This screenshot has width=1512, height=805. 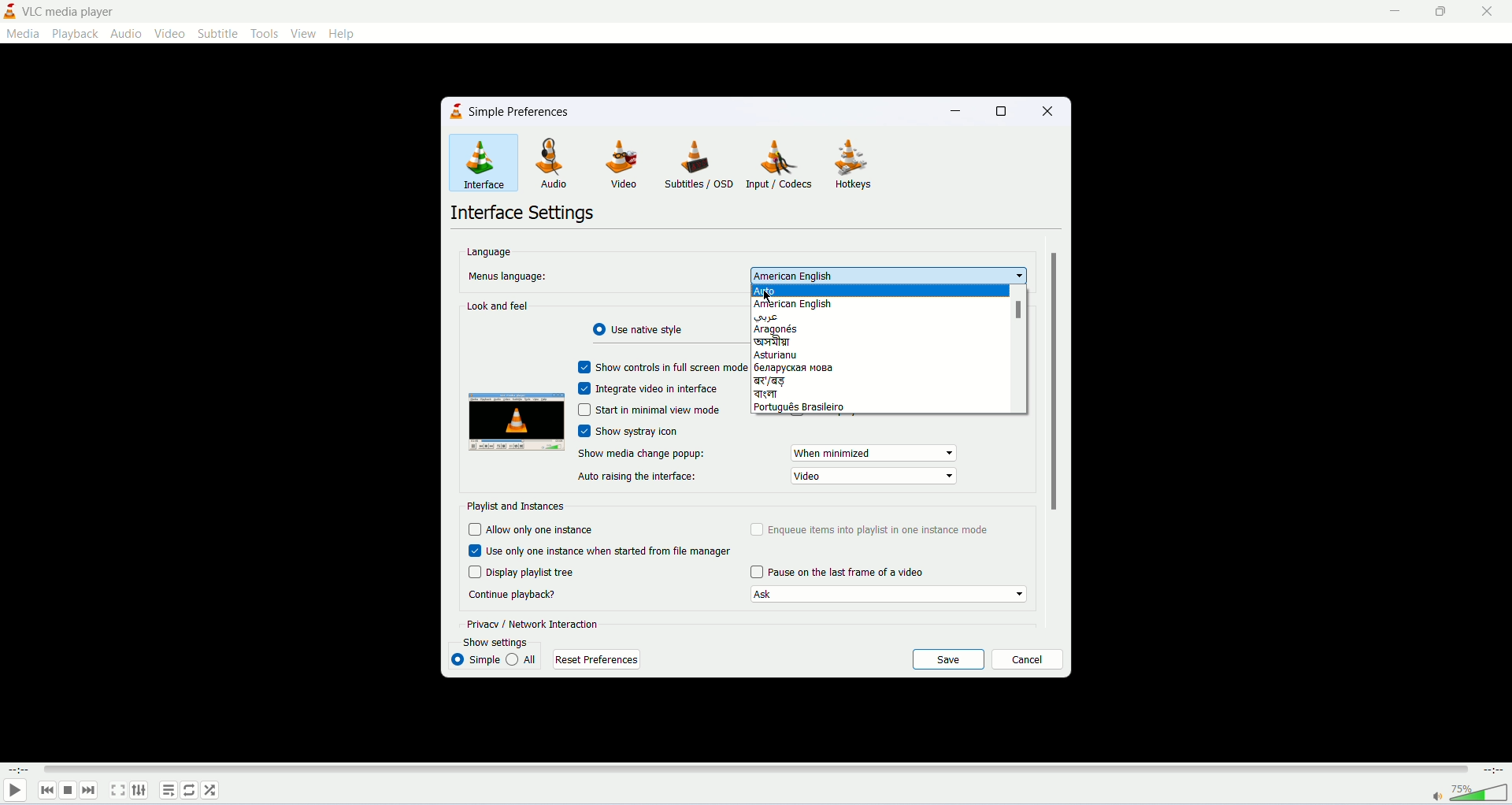 What do you see at coordinates (510, 276) in the screenshot?
I see `menus language` at bounding box center [510, 276].